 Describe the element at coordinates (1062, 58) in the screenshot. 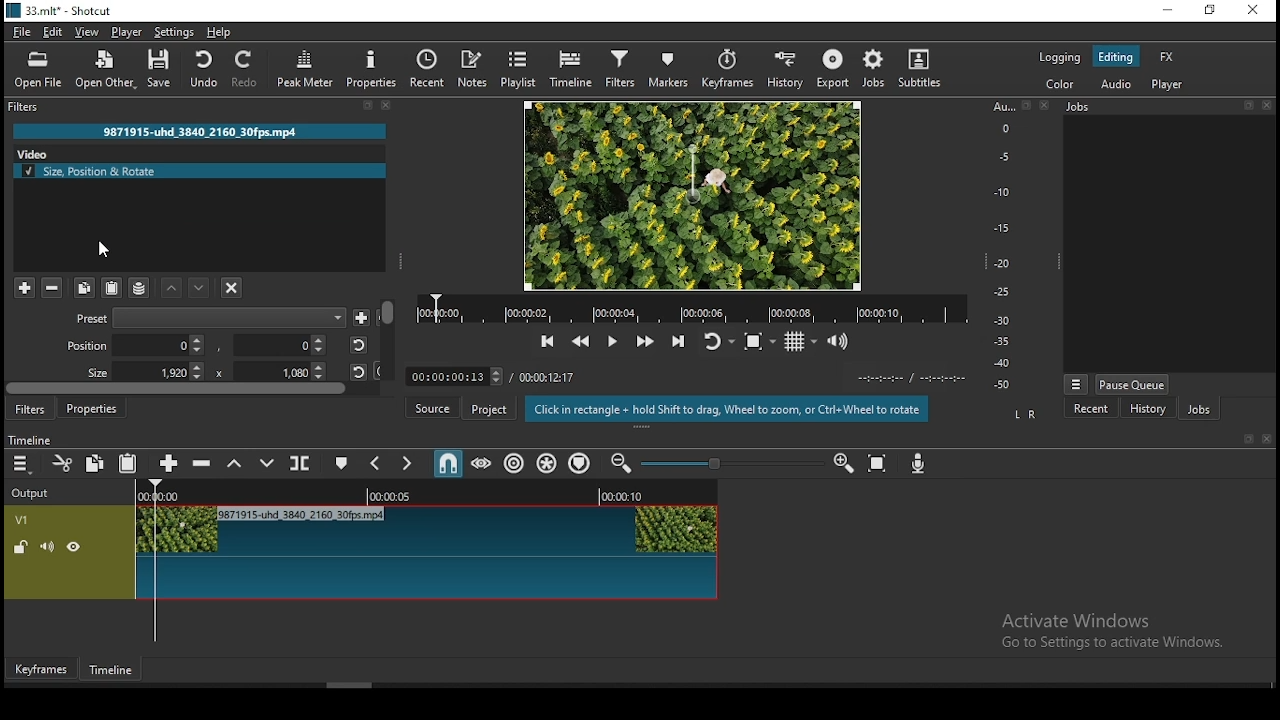

I see `logging` at that location.